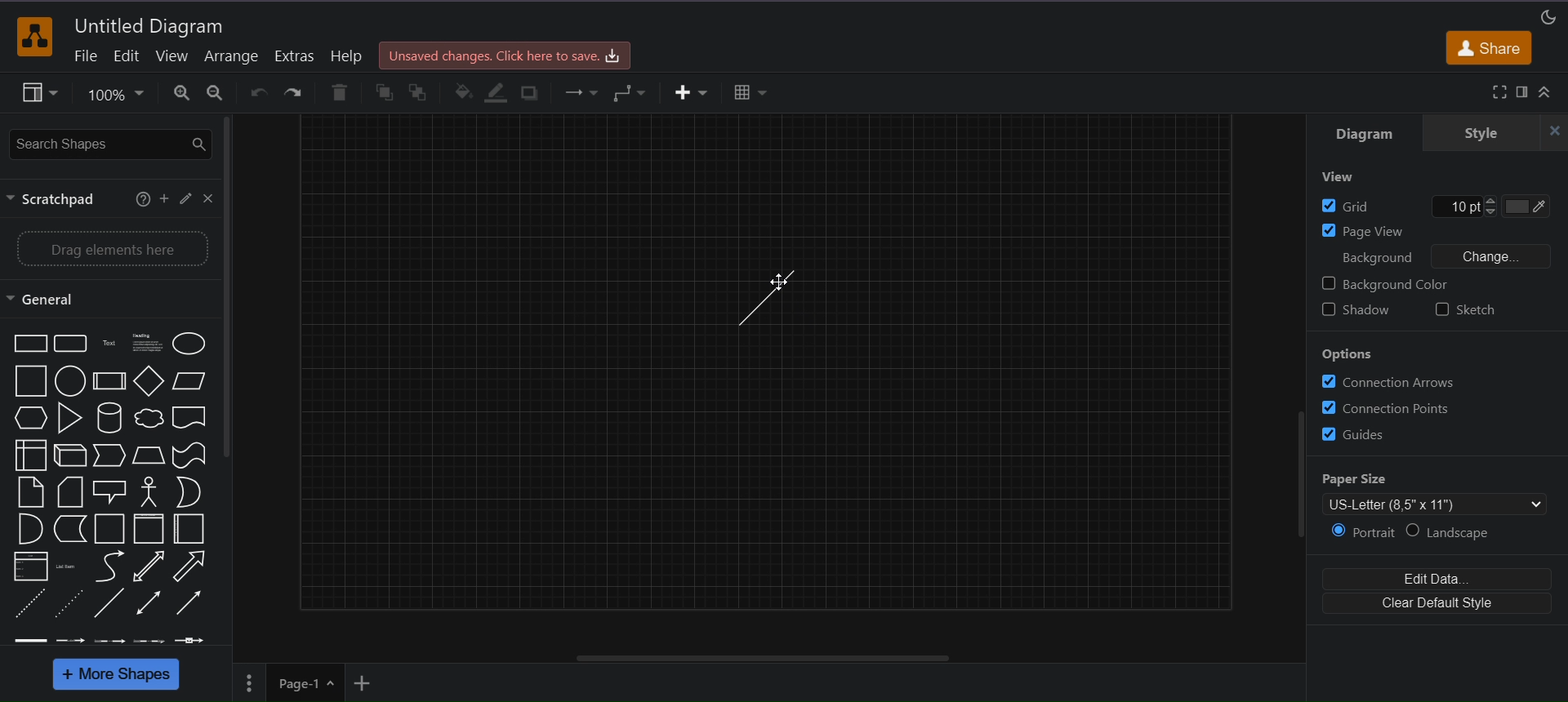  I want to click on background, so click(1379, 257).